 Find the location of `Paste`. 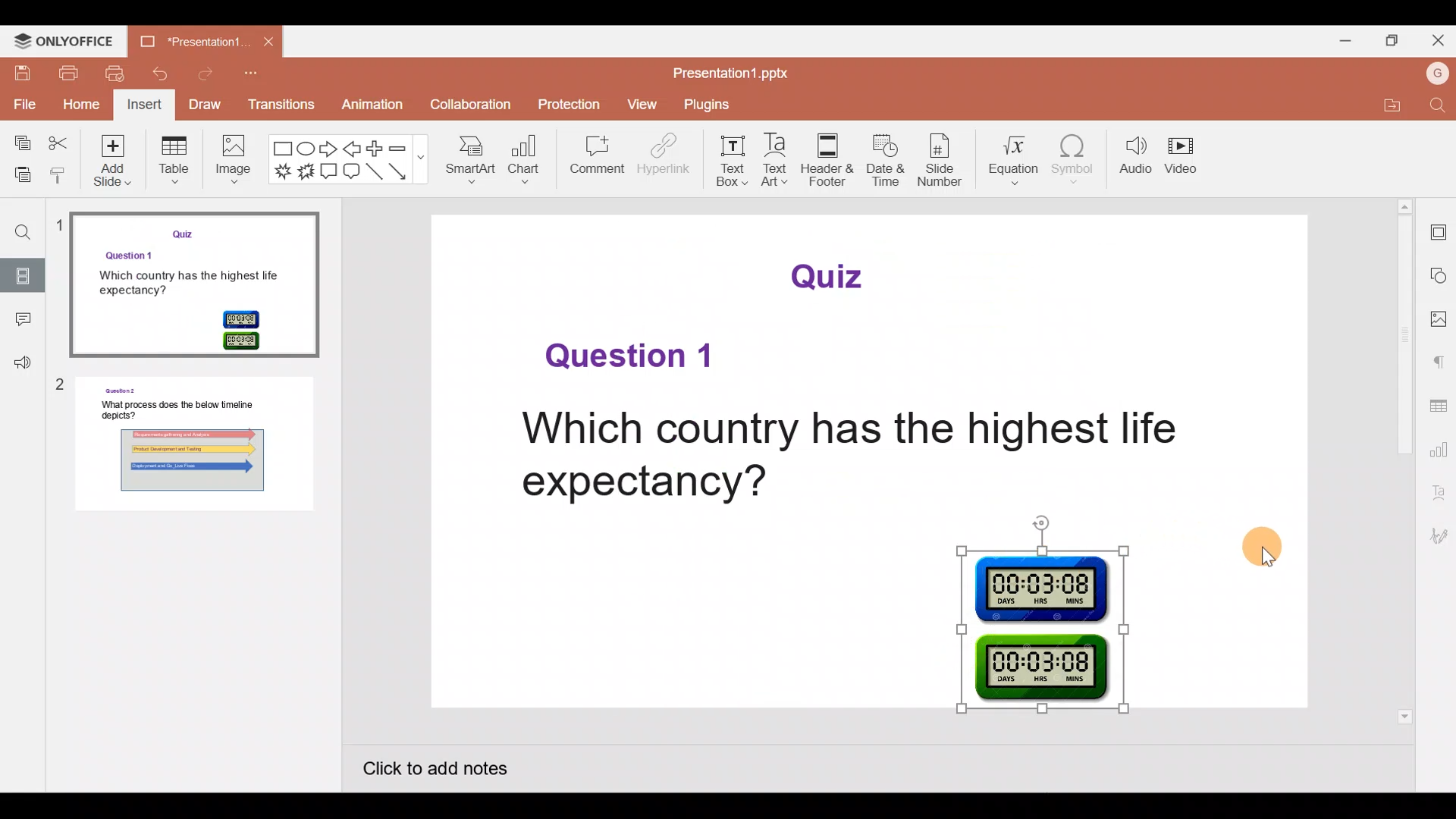

Paste is located at coordinates (19, 171).